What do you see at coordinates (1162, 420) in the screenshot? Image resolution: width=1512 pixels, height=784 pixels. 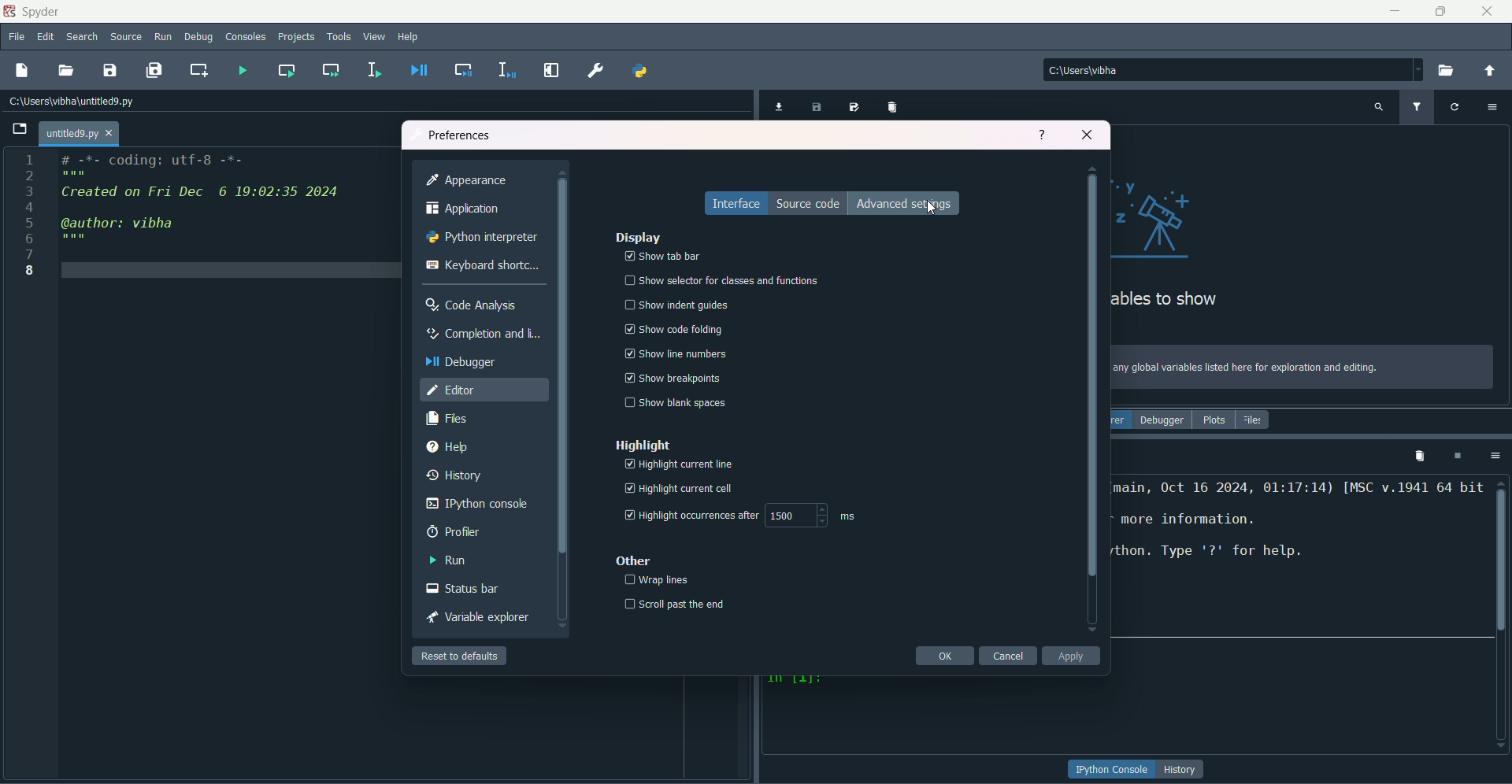 I see `debugger` at bounding box center [1162, 420].